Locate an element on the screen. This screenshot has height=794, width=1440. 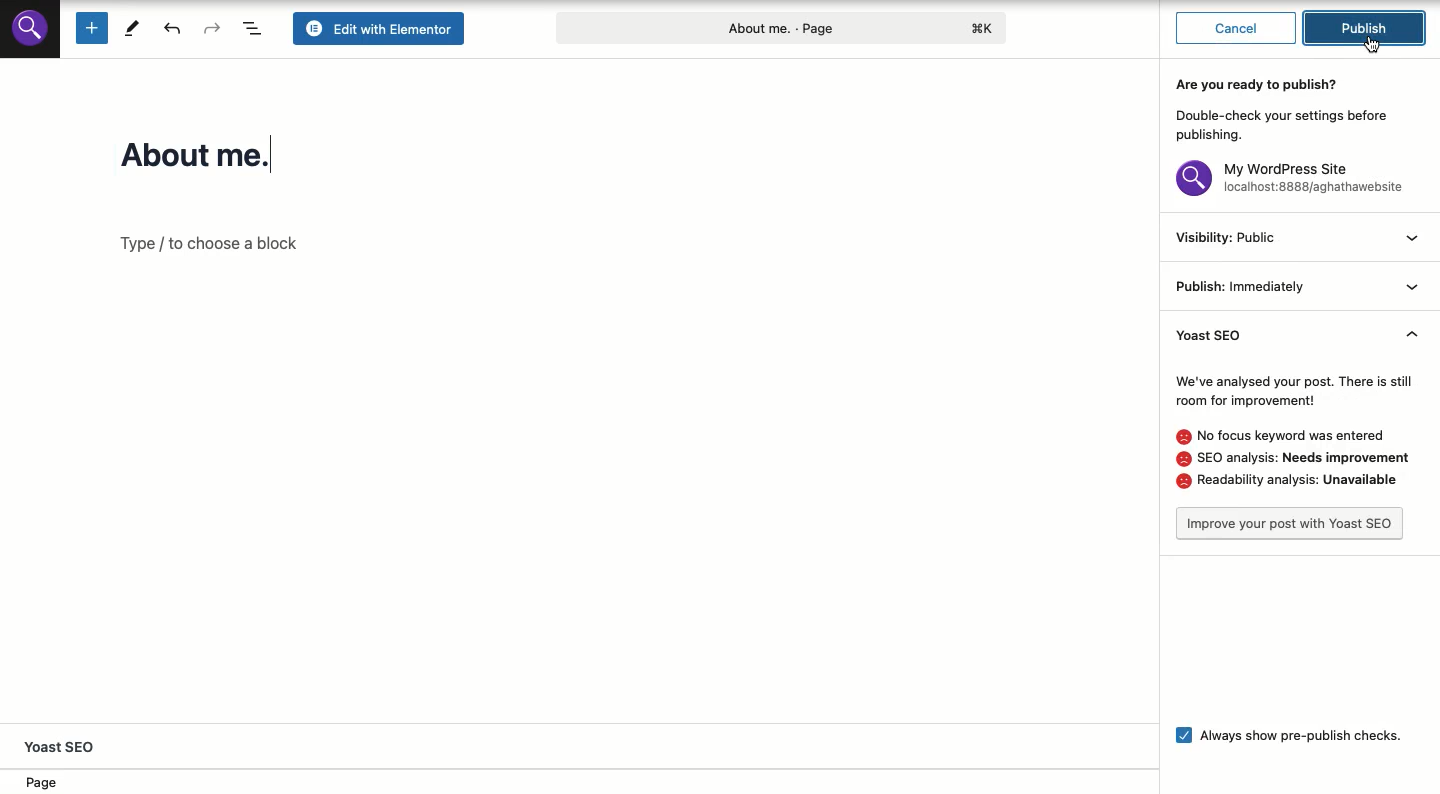
Type/ choose a block is located at coordinates (225, 244).